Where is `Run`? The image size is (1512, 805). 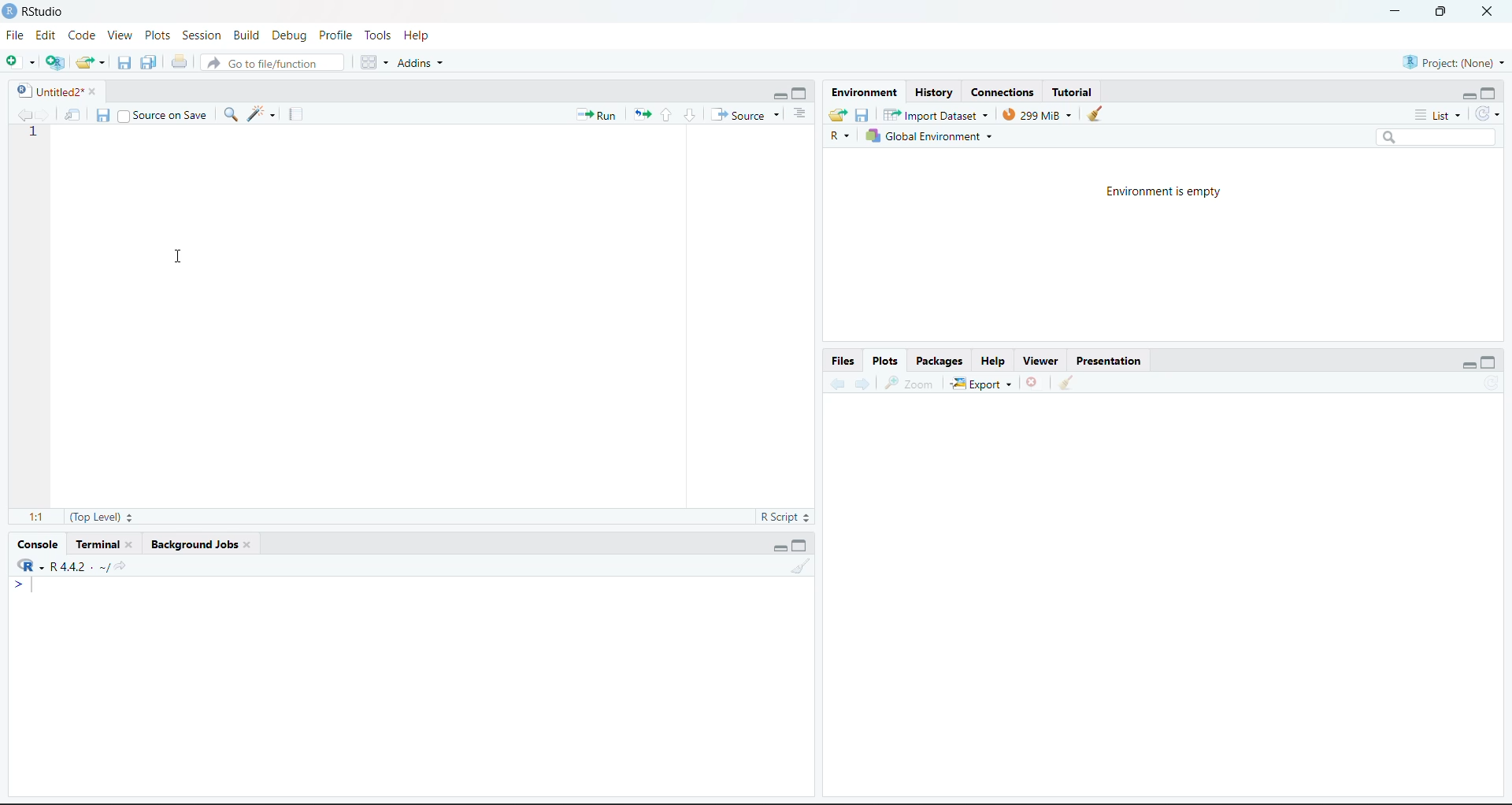
Run is located at coordinates (597, 115).